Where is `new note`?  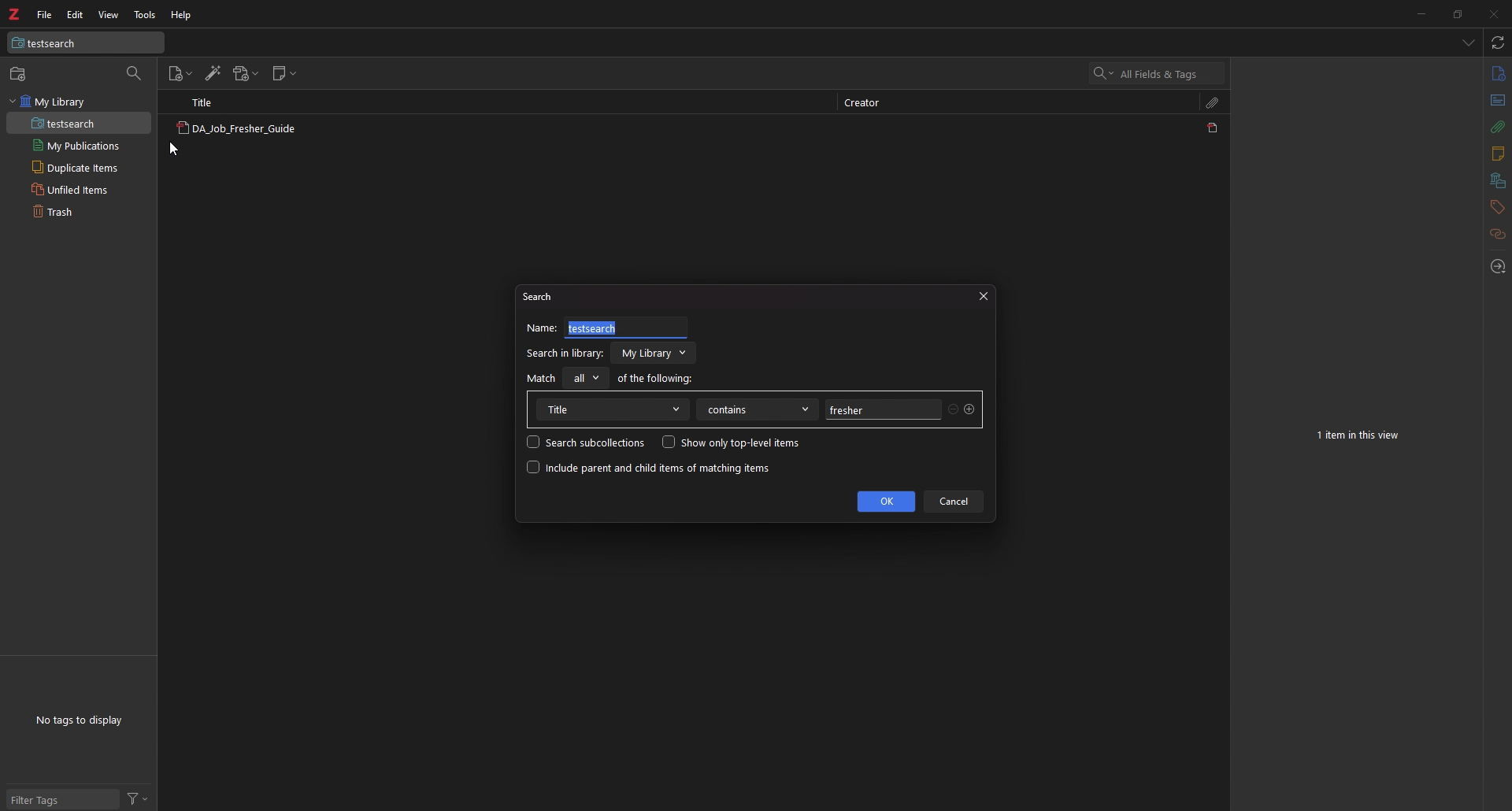
new note is located at coordinates (284, 73).